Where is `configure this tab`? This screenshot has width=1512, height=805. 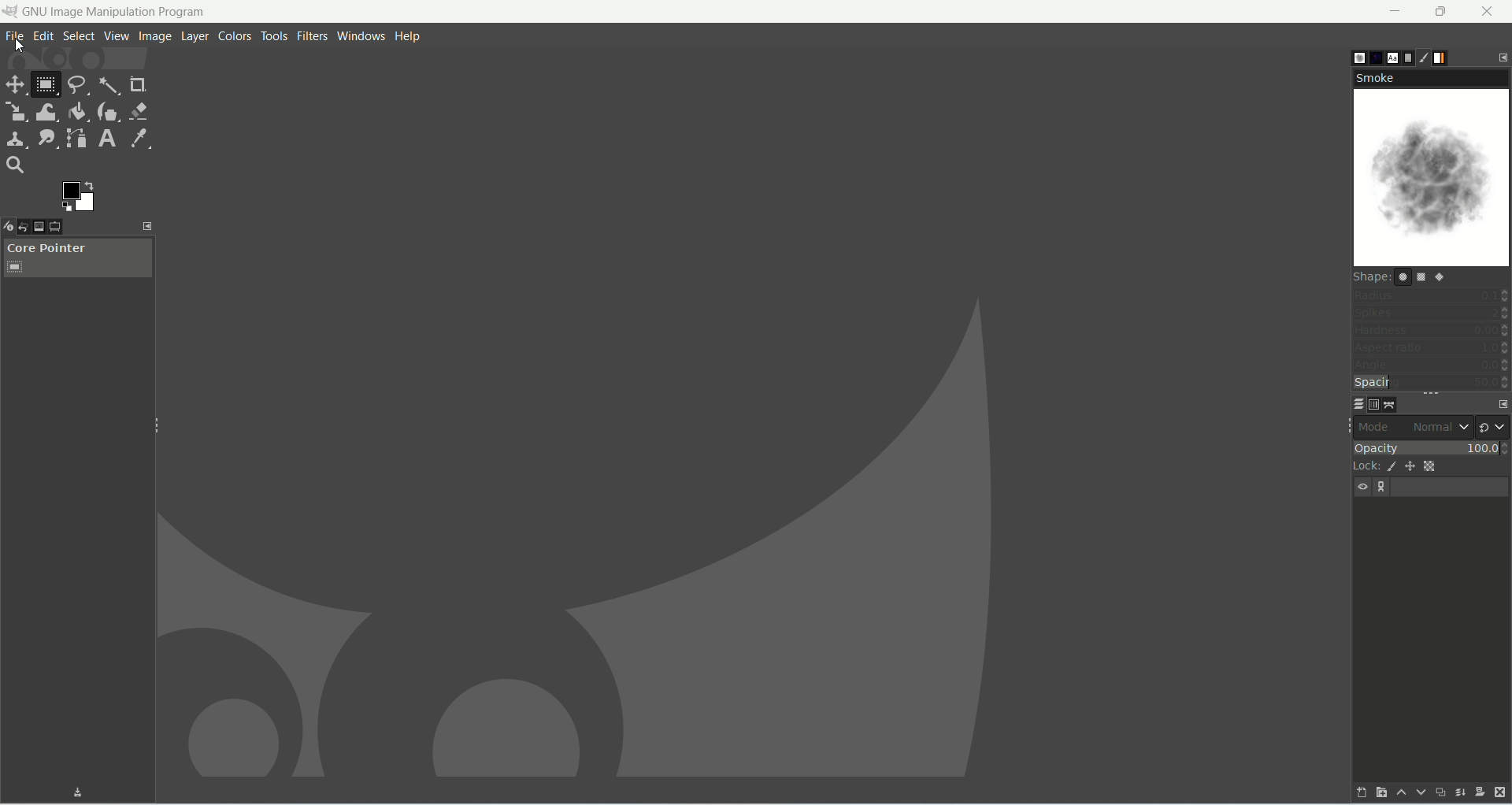
configure this tab is located at coordinates (146, 224).